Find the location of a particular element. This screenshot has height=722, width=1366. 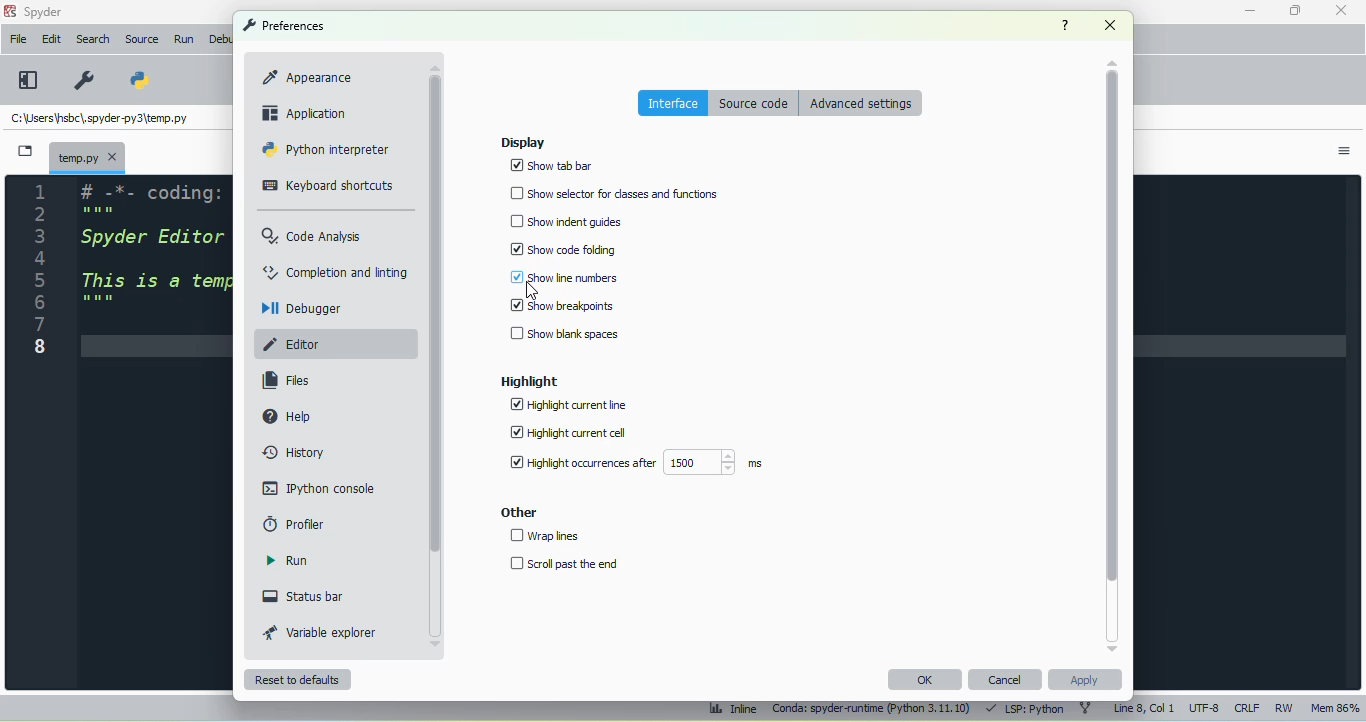

code analysis is located at coordinates (313, 236).